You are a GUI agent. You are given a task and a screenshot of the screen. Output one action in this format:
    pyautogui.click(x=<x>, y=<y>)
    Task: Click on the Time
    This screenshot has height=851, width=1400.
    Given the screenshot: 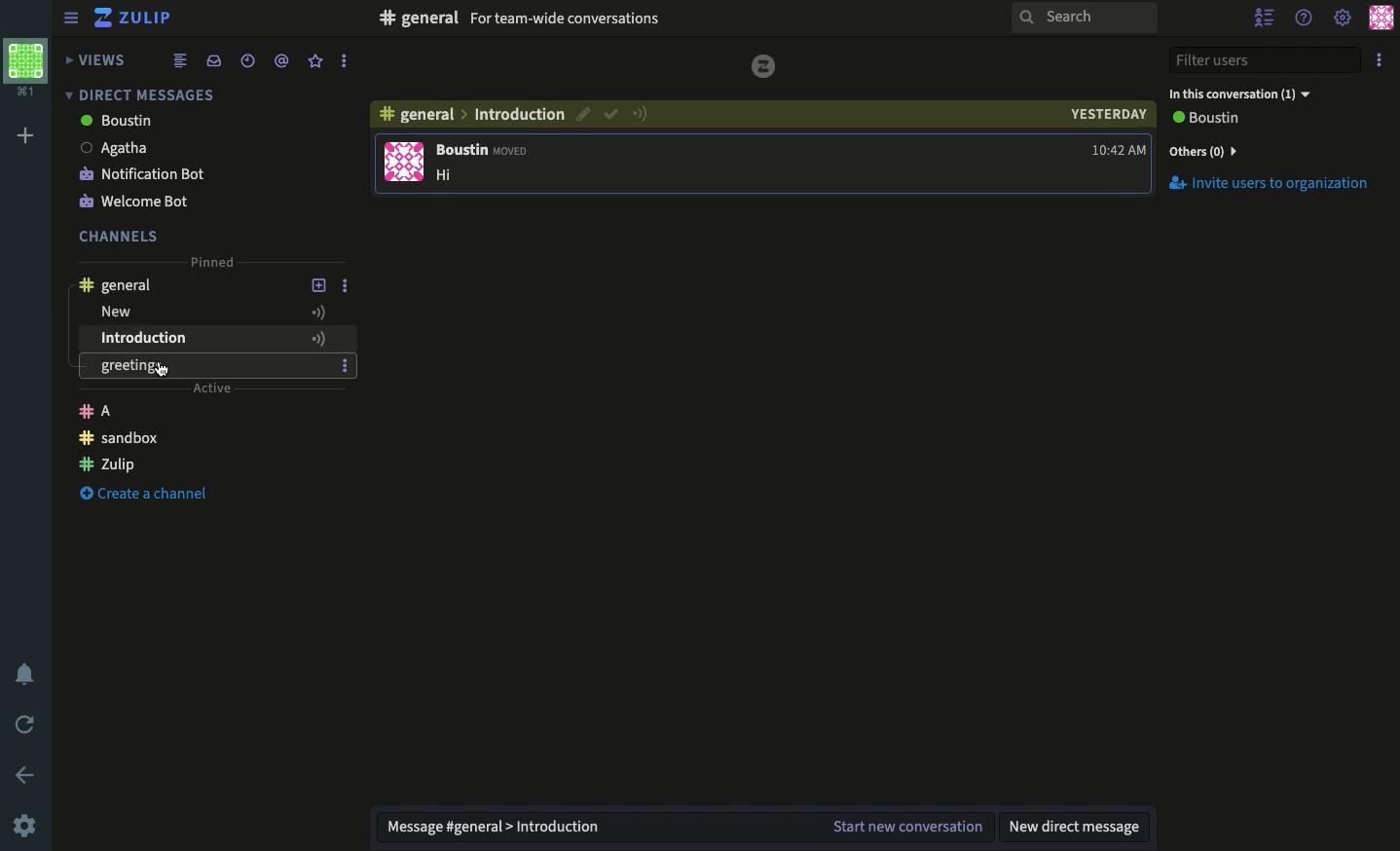 What is the action you would take?
    pyautogui.click(x=245, y=60)
    